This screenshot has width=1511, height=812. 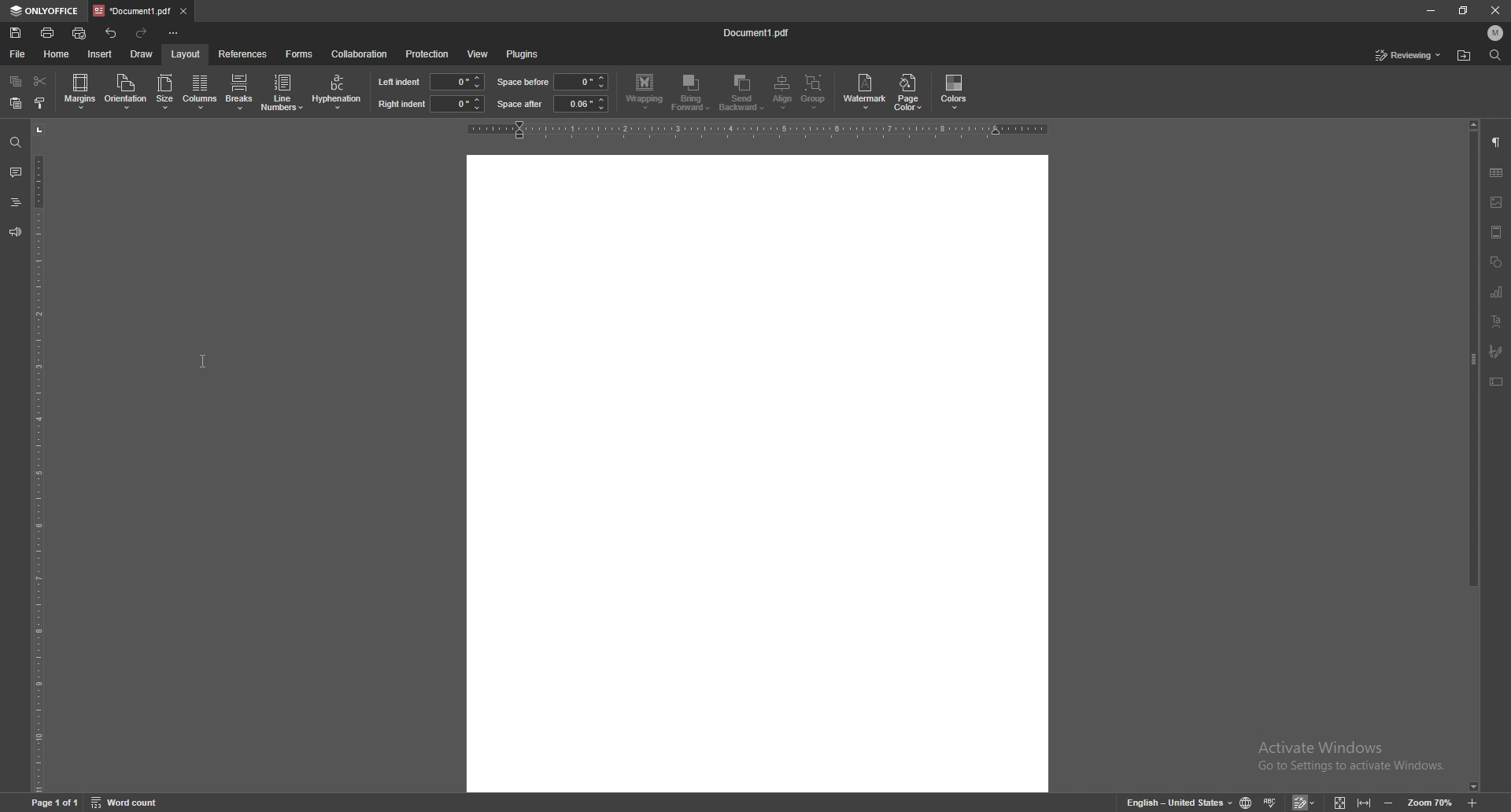 What do you see at coordinates (1498, 292) in the screenshot?
I see `chart` at bounding box center [1498, 292].